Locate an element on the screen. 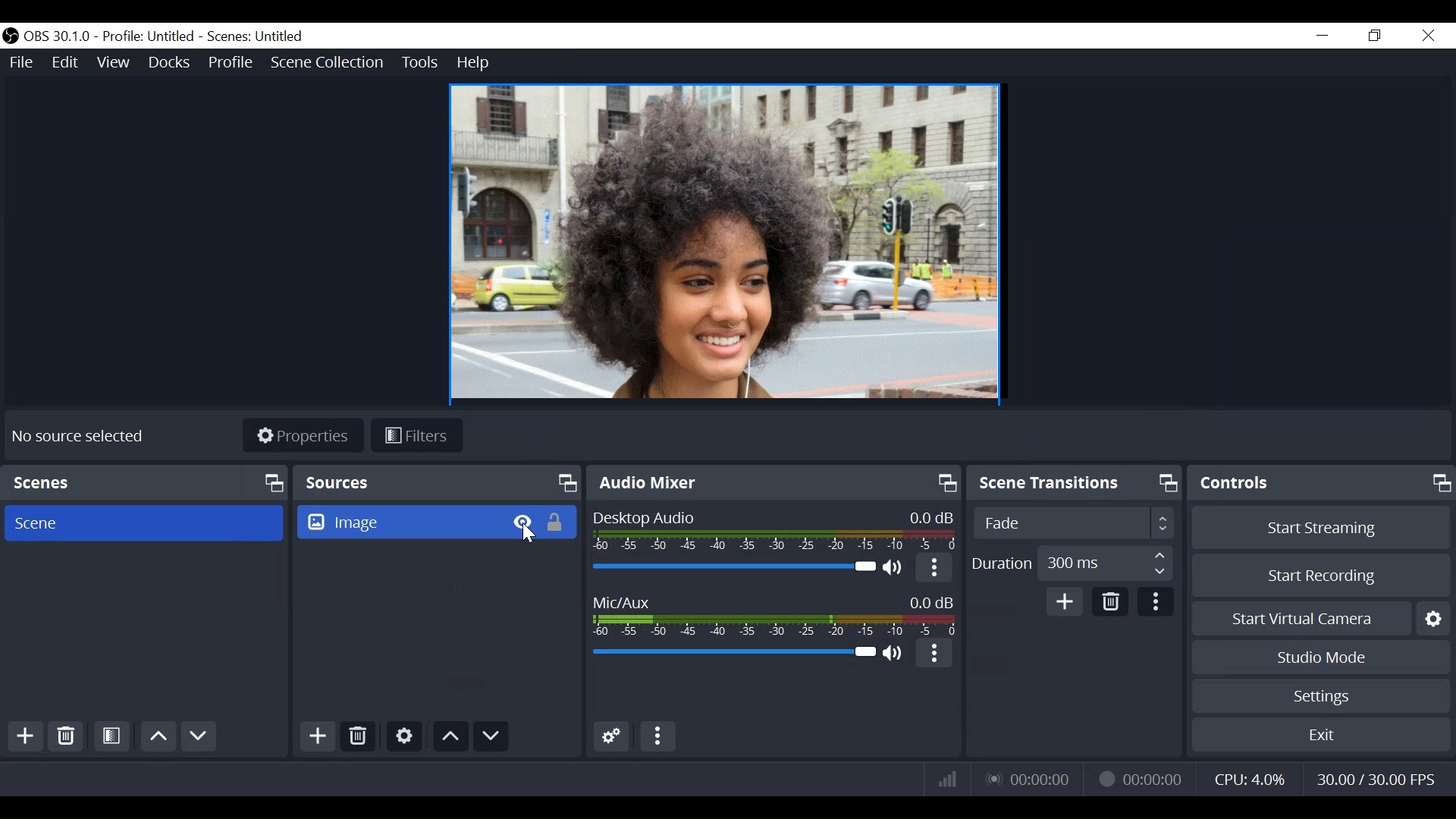 This screenshot has width=1456, height=819. (un)mute is located at coordinates (894, 654).